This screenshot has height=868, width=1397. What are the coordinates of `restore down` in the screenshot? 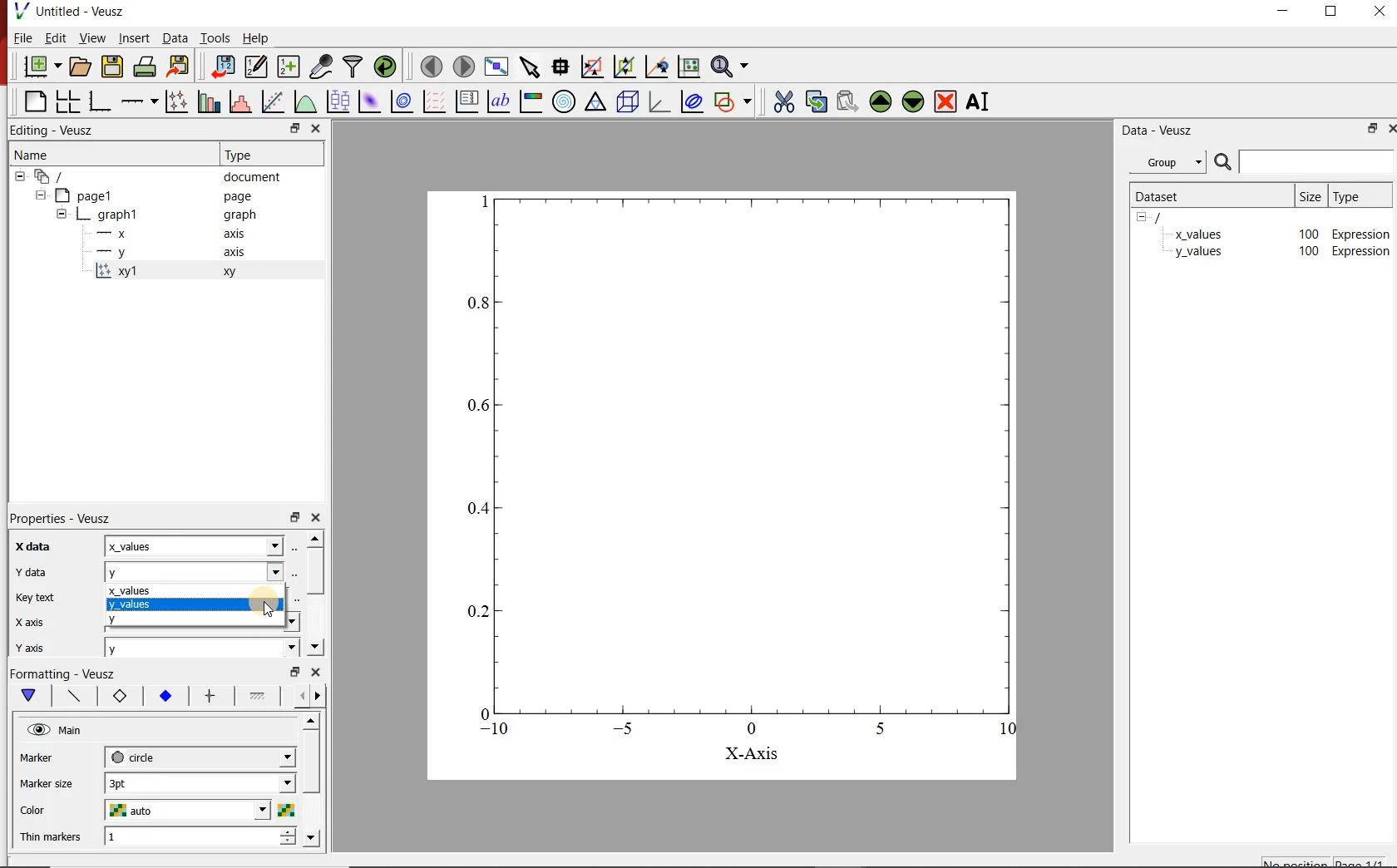 It's located at (1369, 128).